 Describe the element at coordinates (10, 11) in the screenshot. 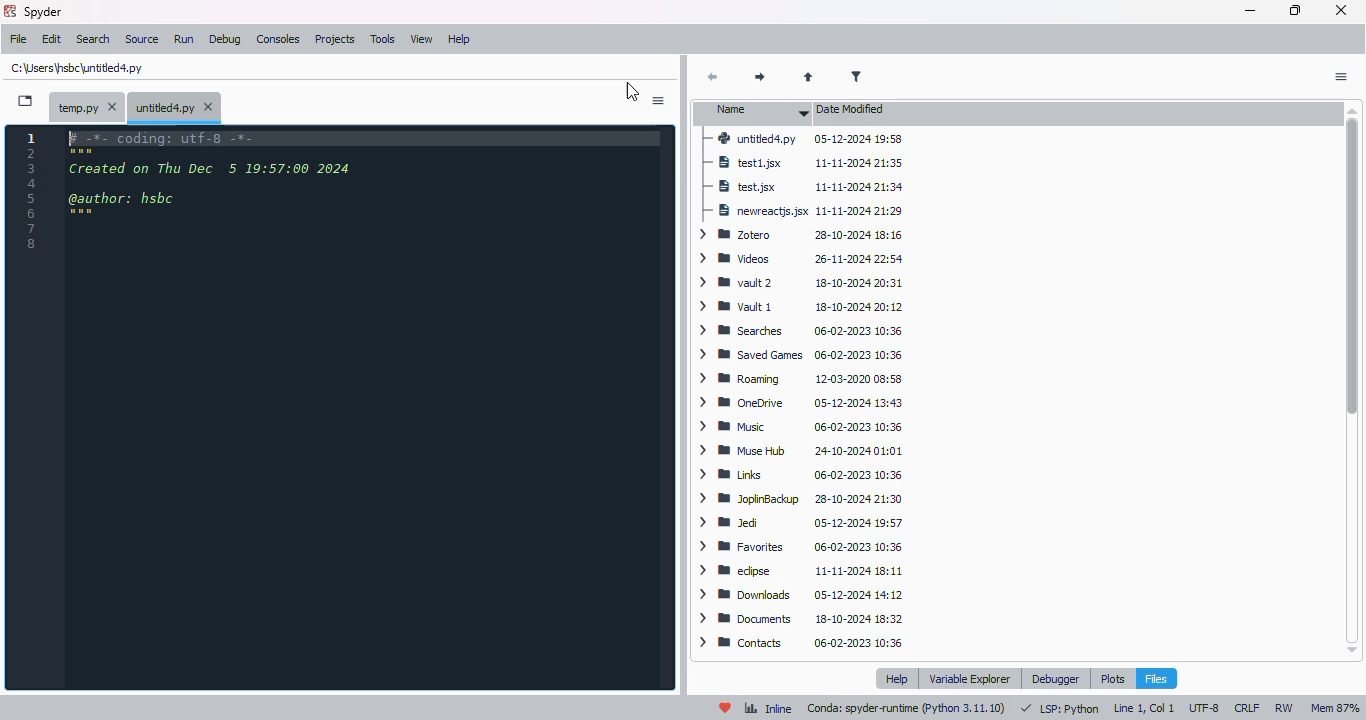

I see `logo` at that location.